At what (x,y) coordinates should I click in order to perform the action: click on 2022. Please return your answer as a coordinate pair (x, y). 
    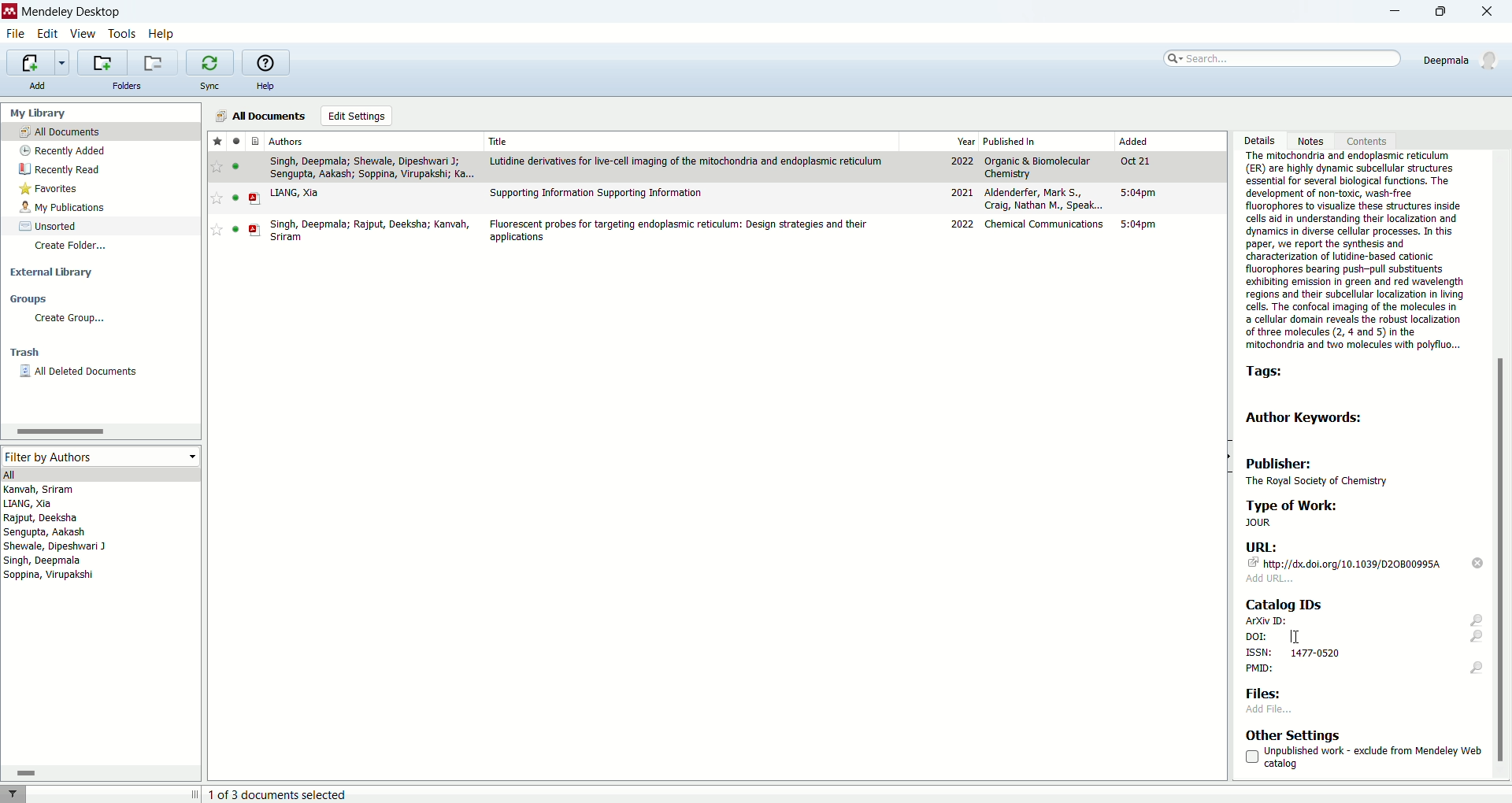
    Looking at the image, I should click on (962, 161).